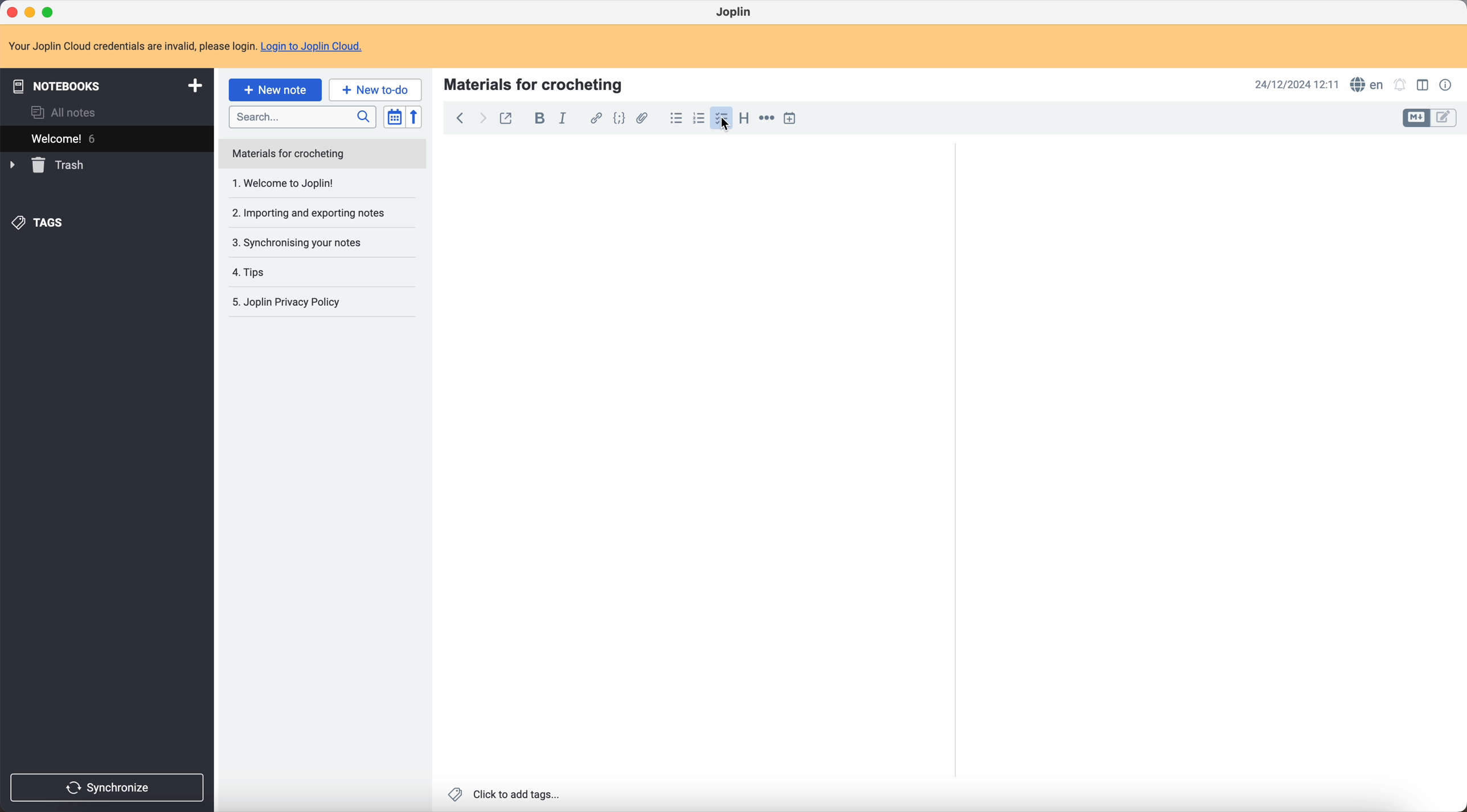  I want to click on materials for crocheting, so click(535, 83).